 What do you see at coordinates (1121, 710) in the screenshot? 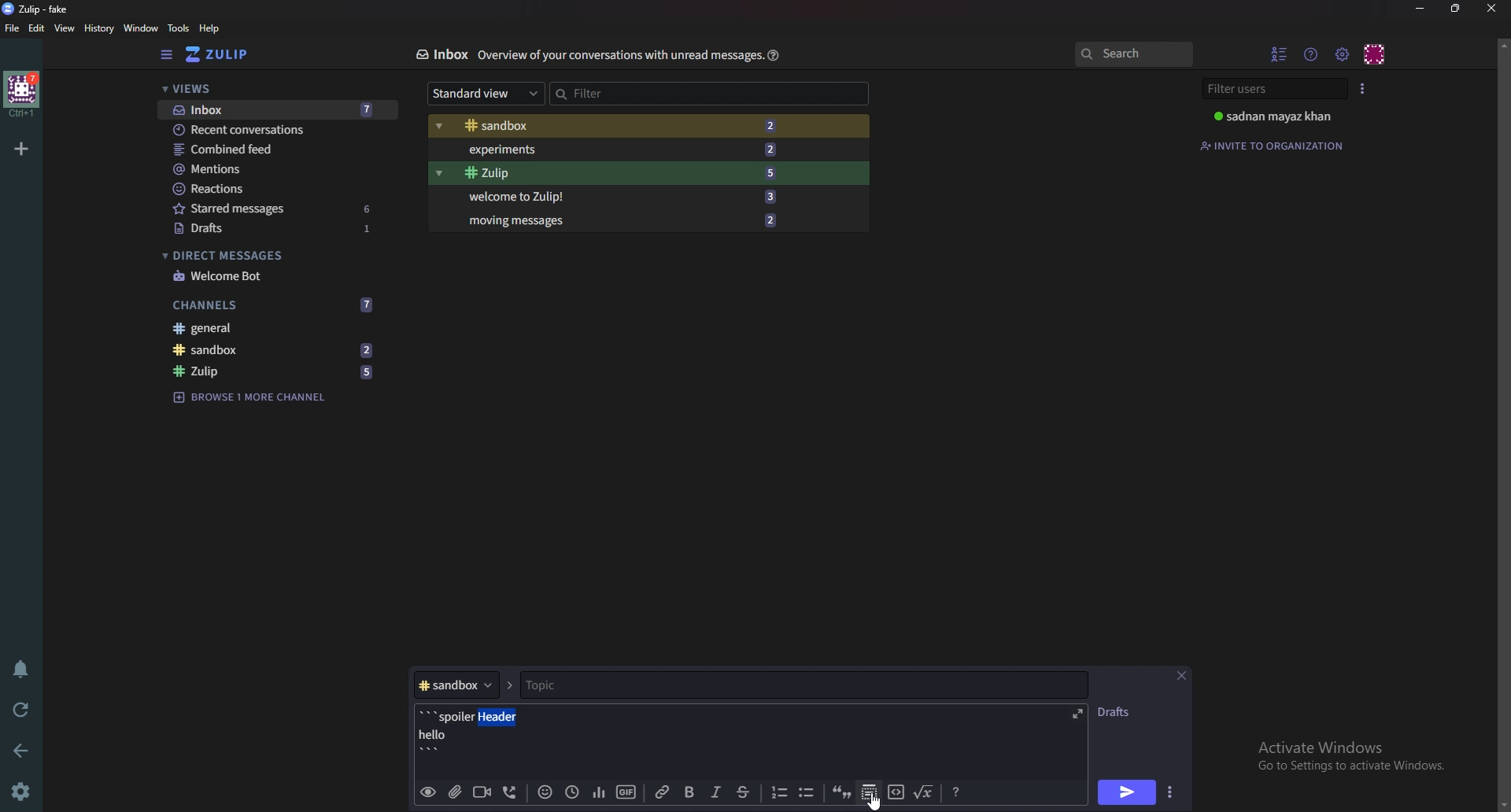
I see `Drafts` at bounding box center [1121, 710].